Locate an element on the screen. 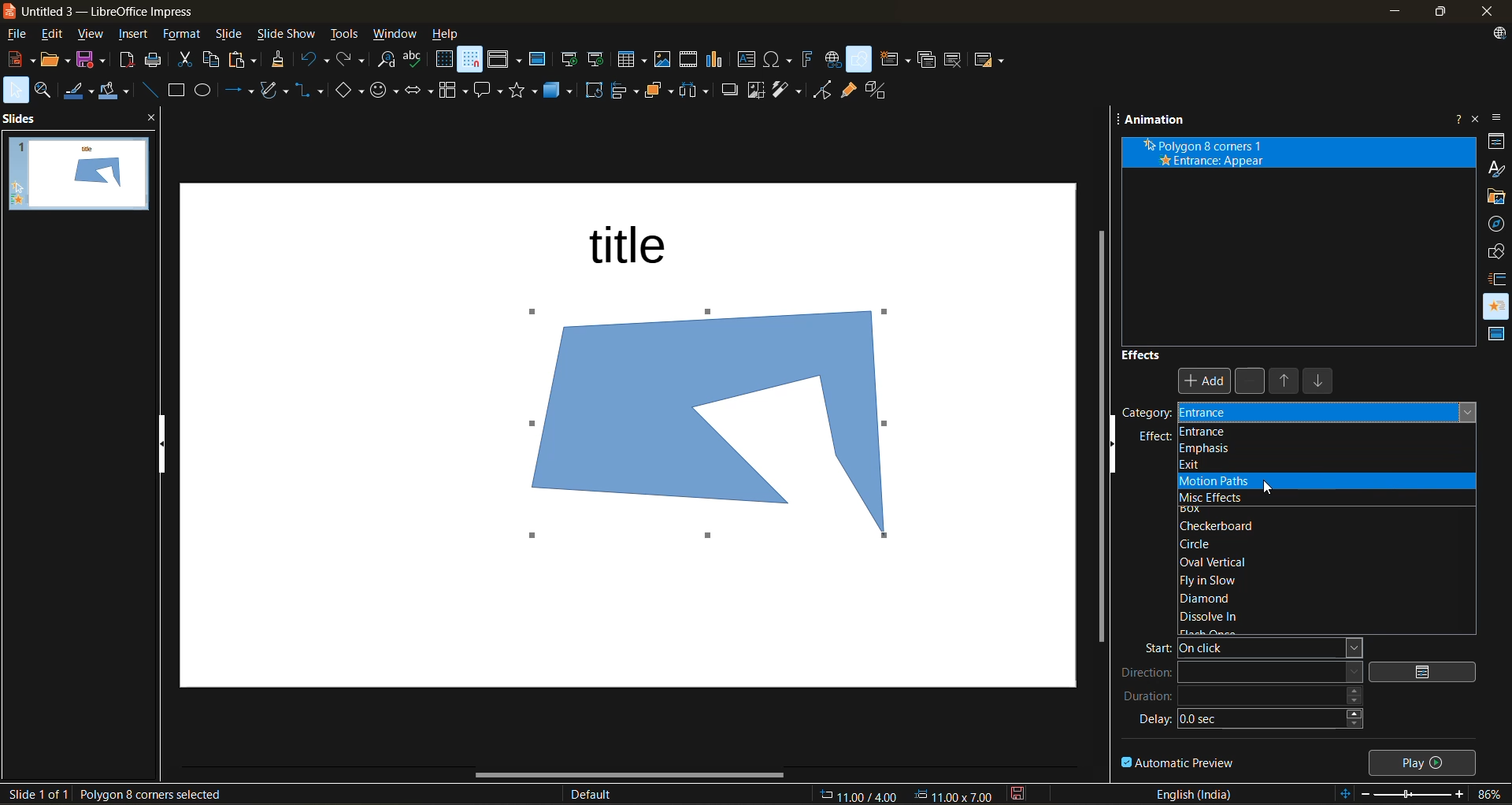 This screenshot has height=805, width=1512. crop image is located at coordinates (754, 91).